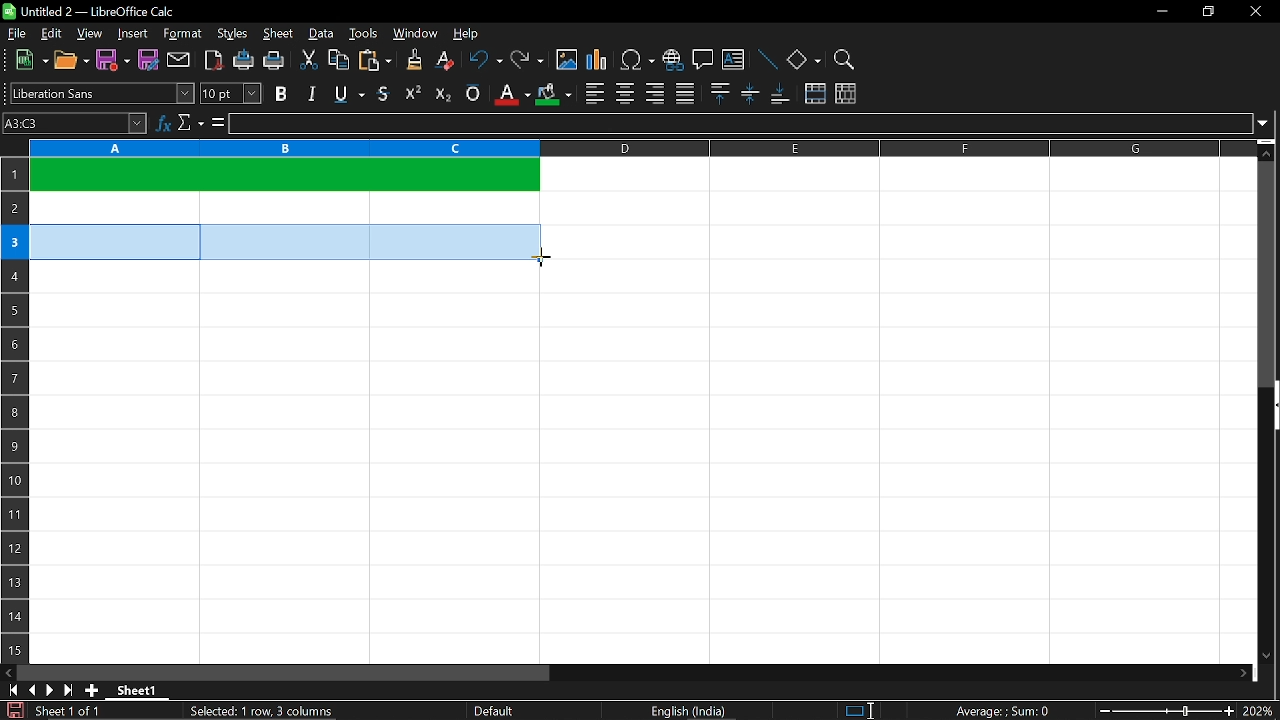  Describe the element at coordinates (553, 95) in the screenshot. I see `cell color` at that location.